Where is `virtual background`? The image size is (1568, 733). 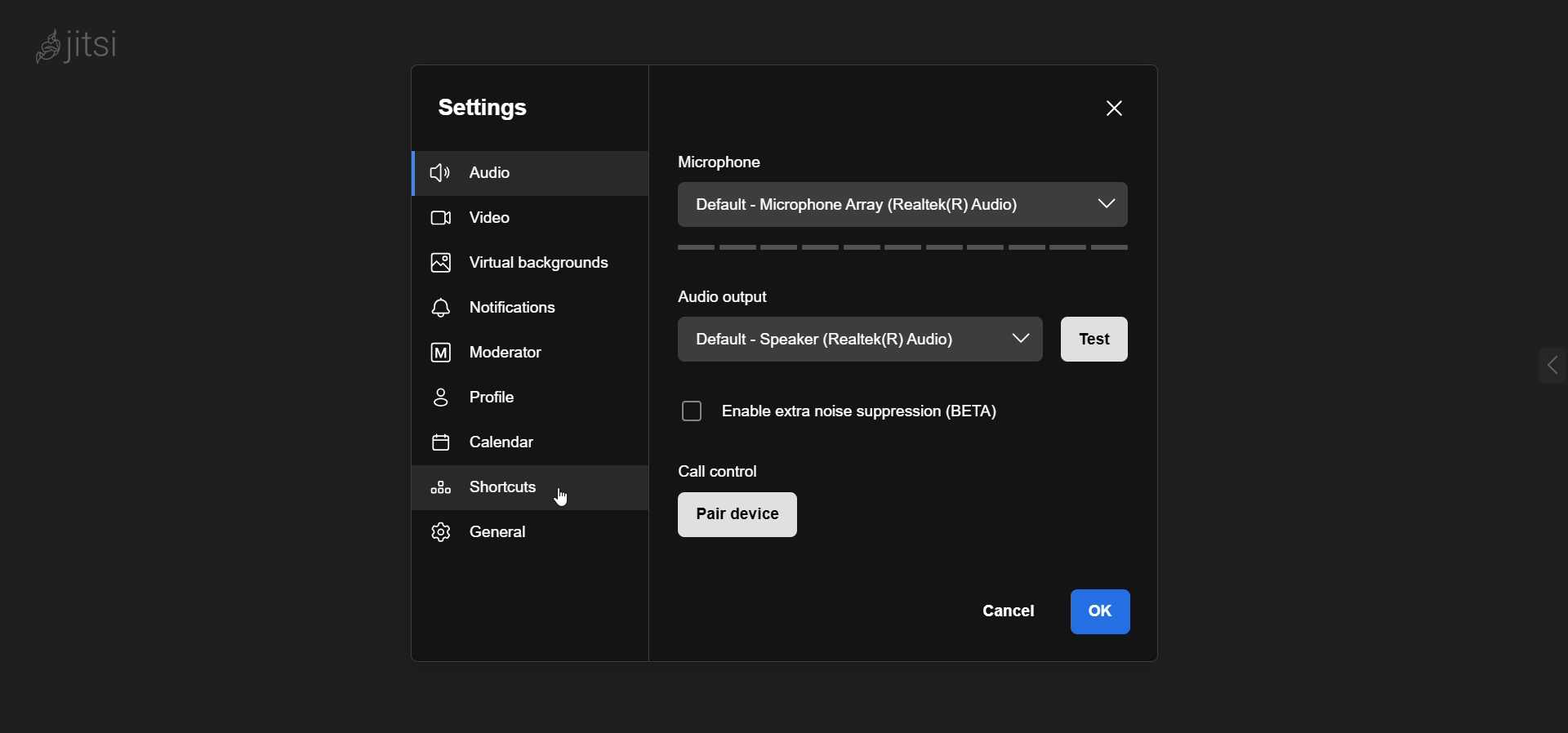 virtual background is located at coordinates (525, 260).